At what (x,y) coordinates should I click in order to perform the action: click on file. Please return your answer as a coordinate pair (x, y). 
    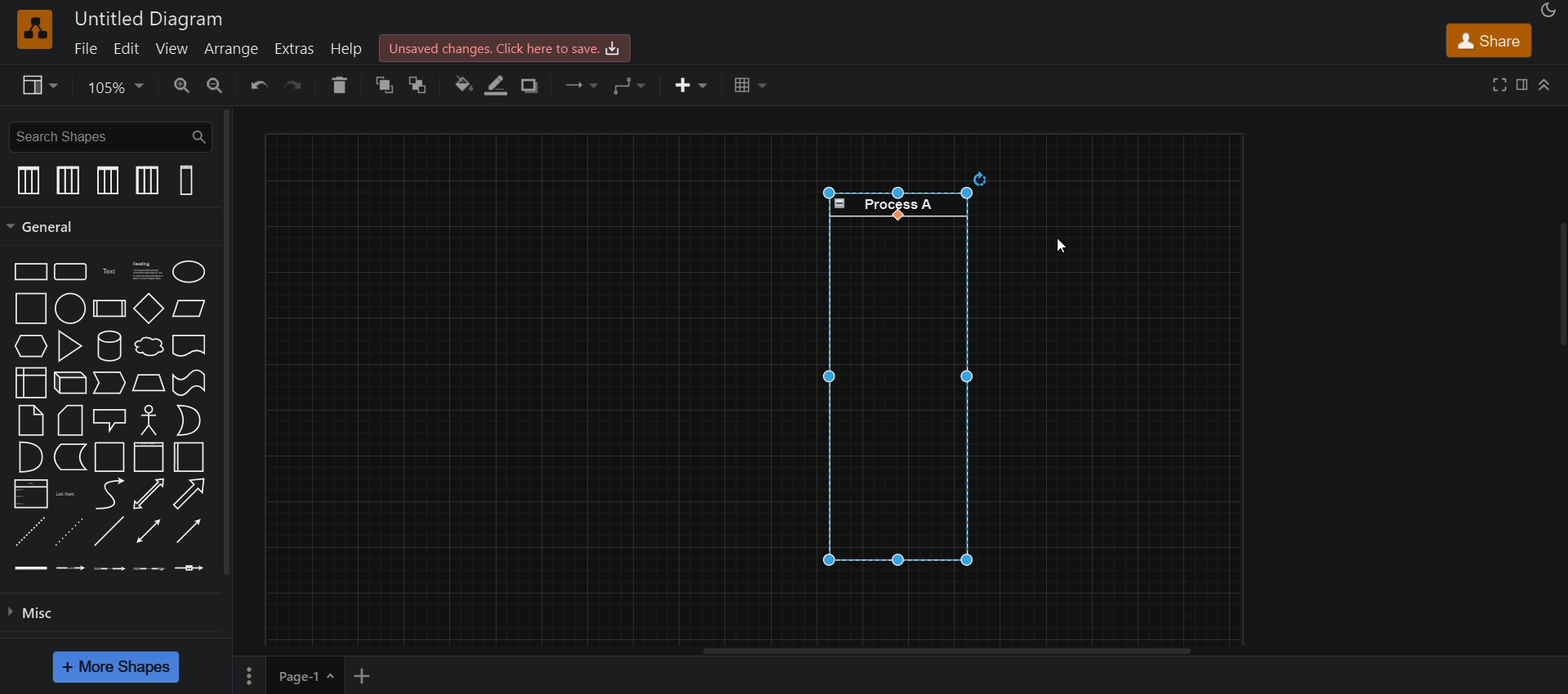
    Looking at the image, I should click on (88, 48).